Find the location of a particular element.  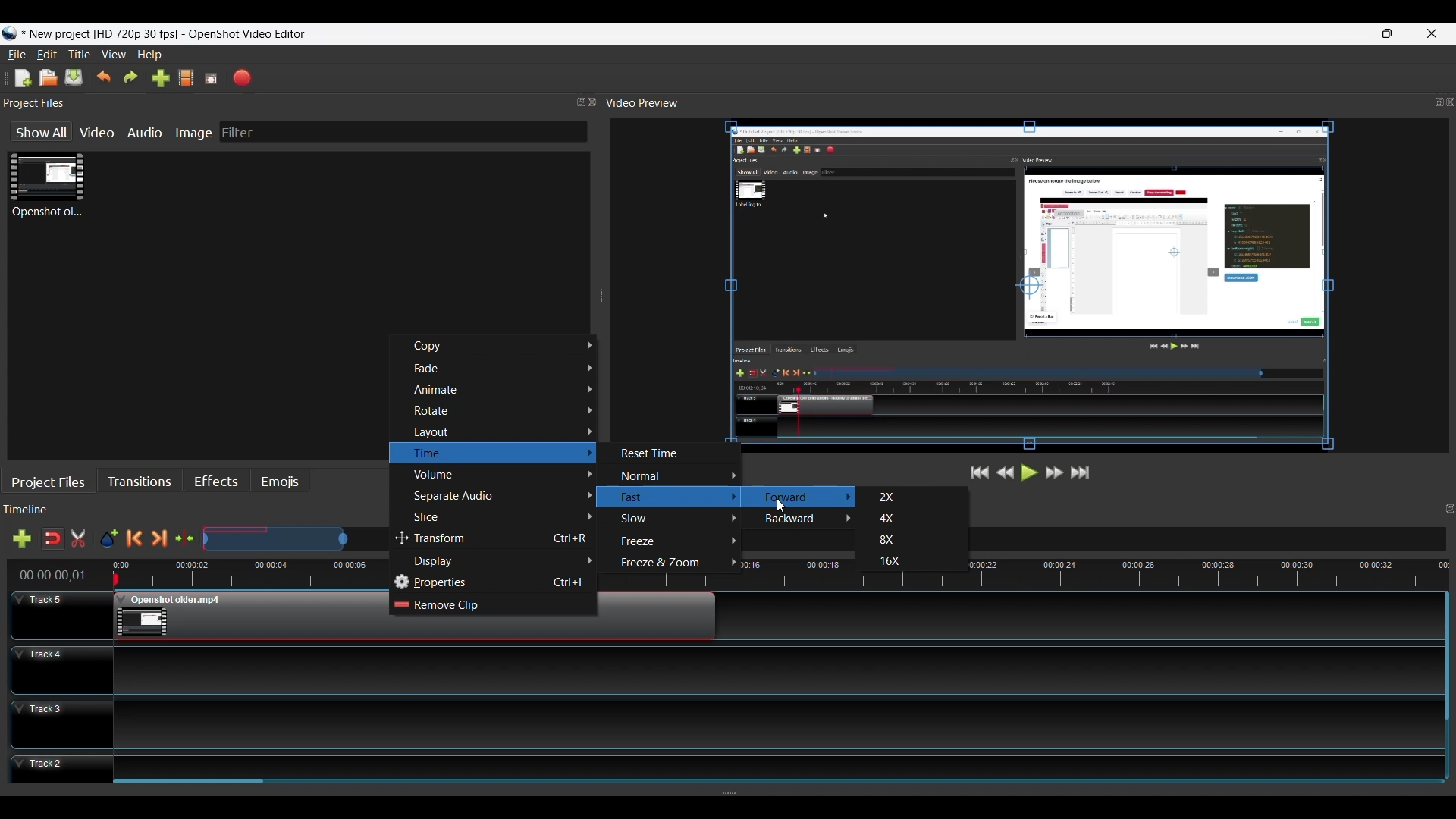

Time is located at coordinates (491, 453).